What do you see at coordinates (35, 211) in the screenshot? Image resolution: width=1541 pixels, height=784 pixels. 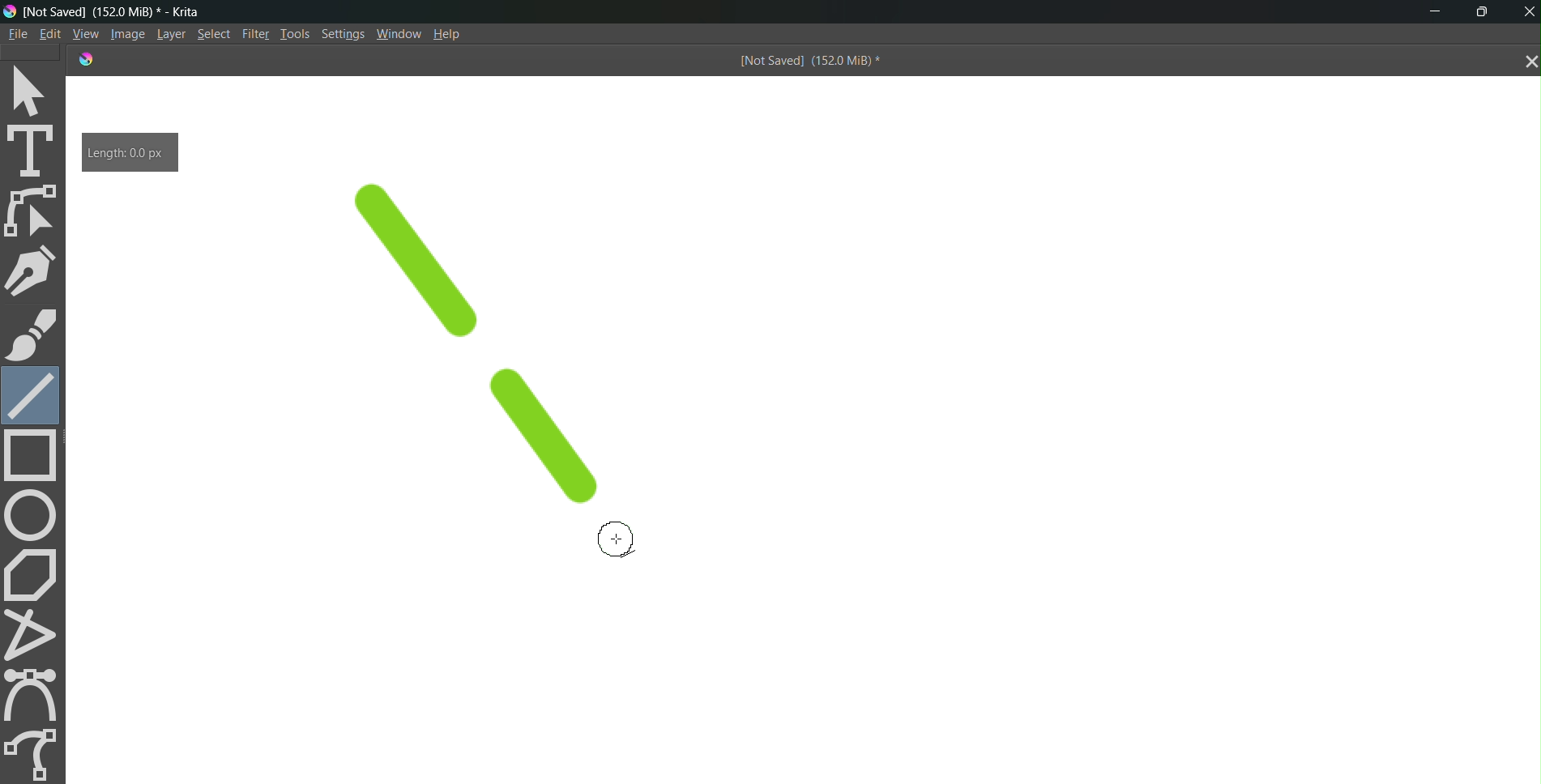 I see `edit shape` at bounding box center [35, 211].